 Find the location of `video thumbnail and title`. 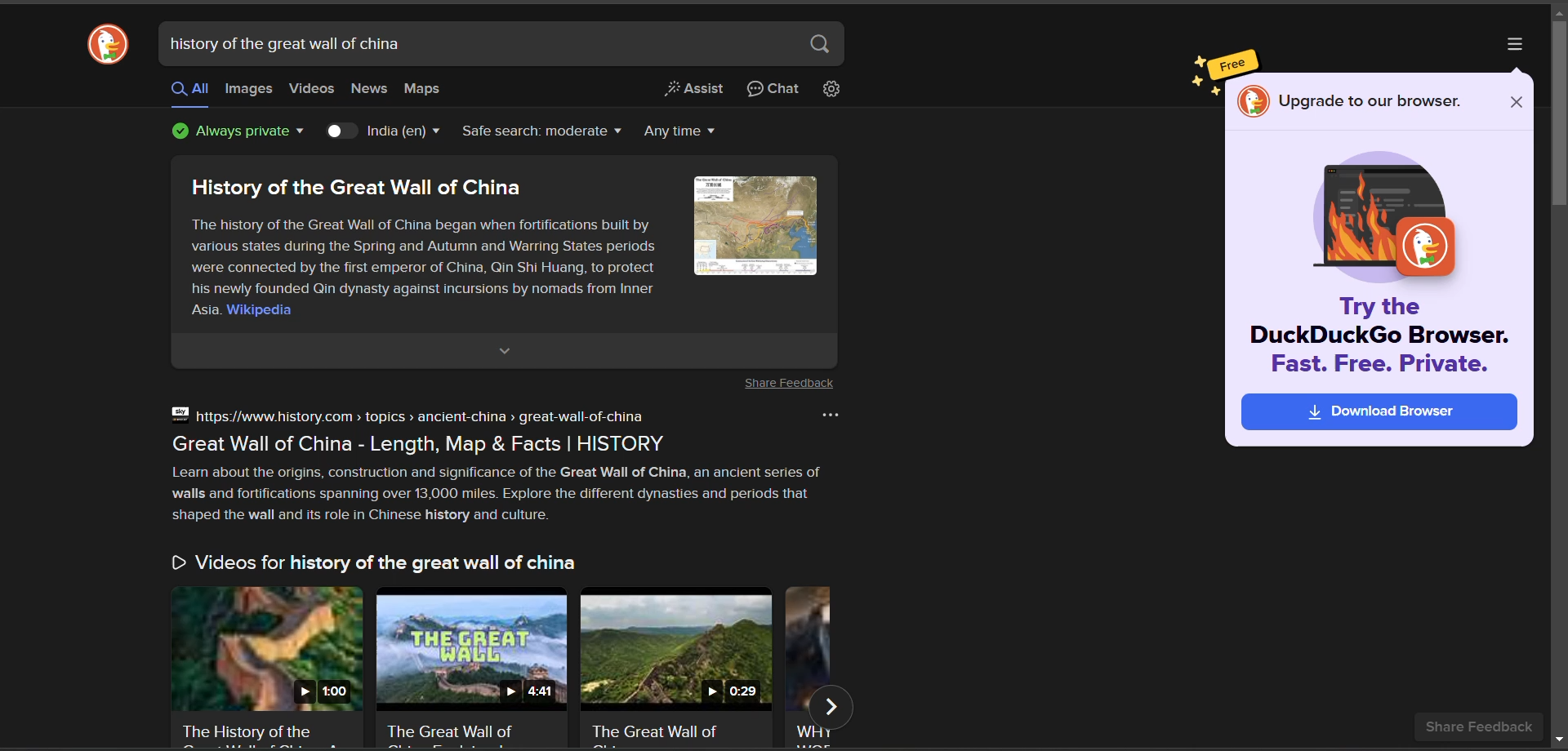

video thumbnail and title is located at coordinates (680, 666).